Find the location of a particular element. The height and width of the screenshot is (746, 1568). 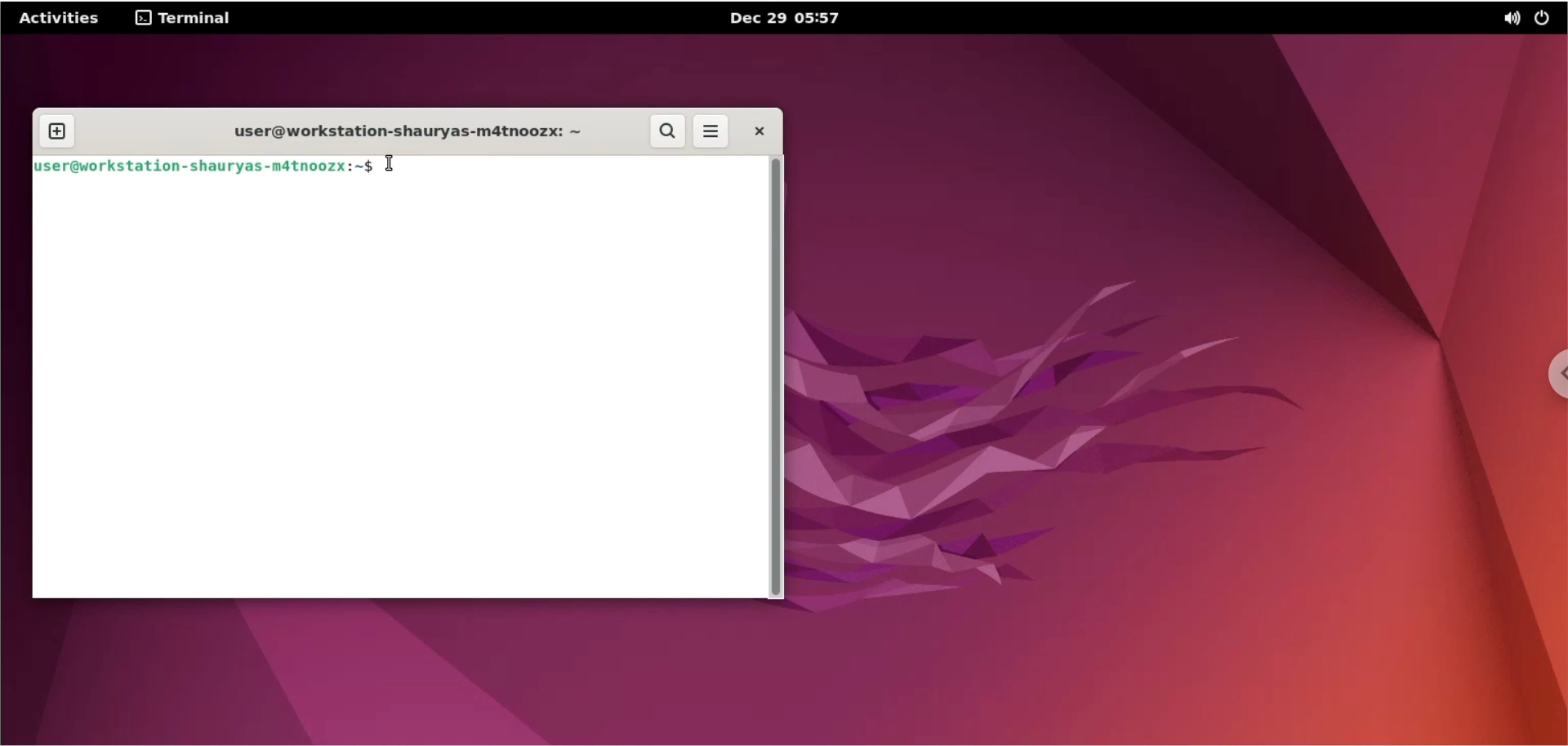

close is located at coordinates (758, 131).